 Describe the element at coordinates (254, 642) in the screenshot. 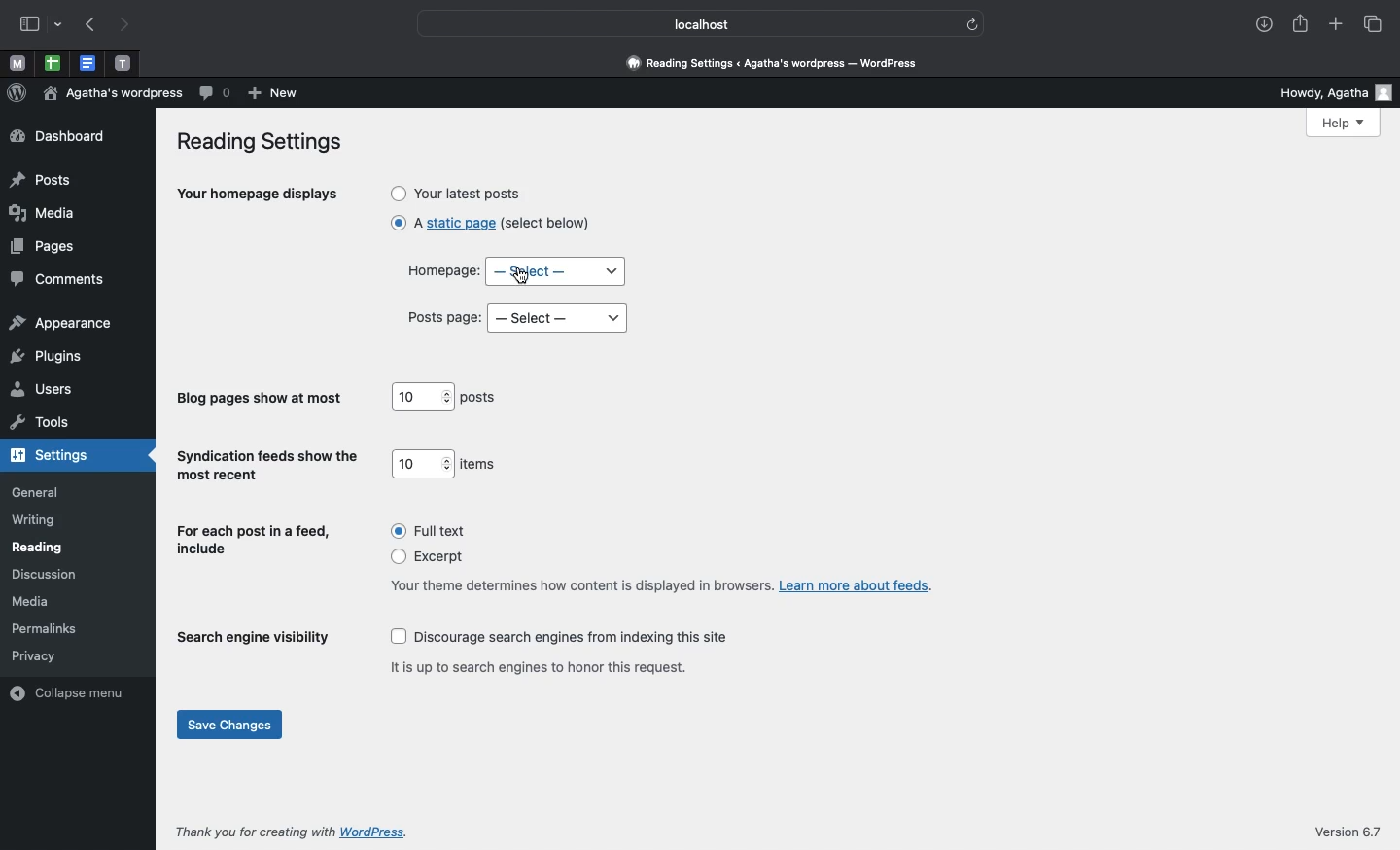

I see `Search engine visibility` at that location.